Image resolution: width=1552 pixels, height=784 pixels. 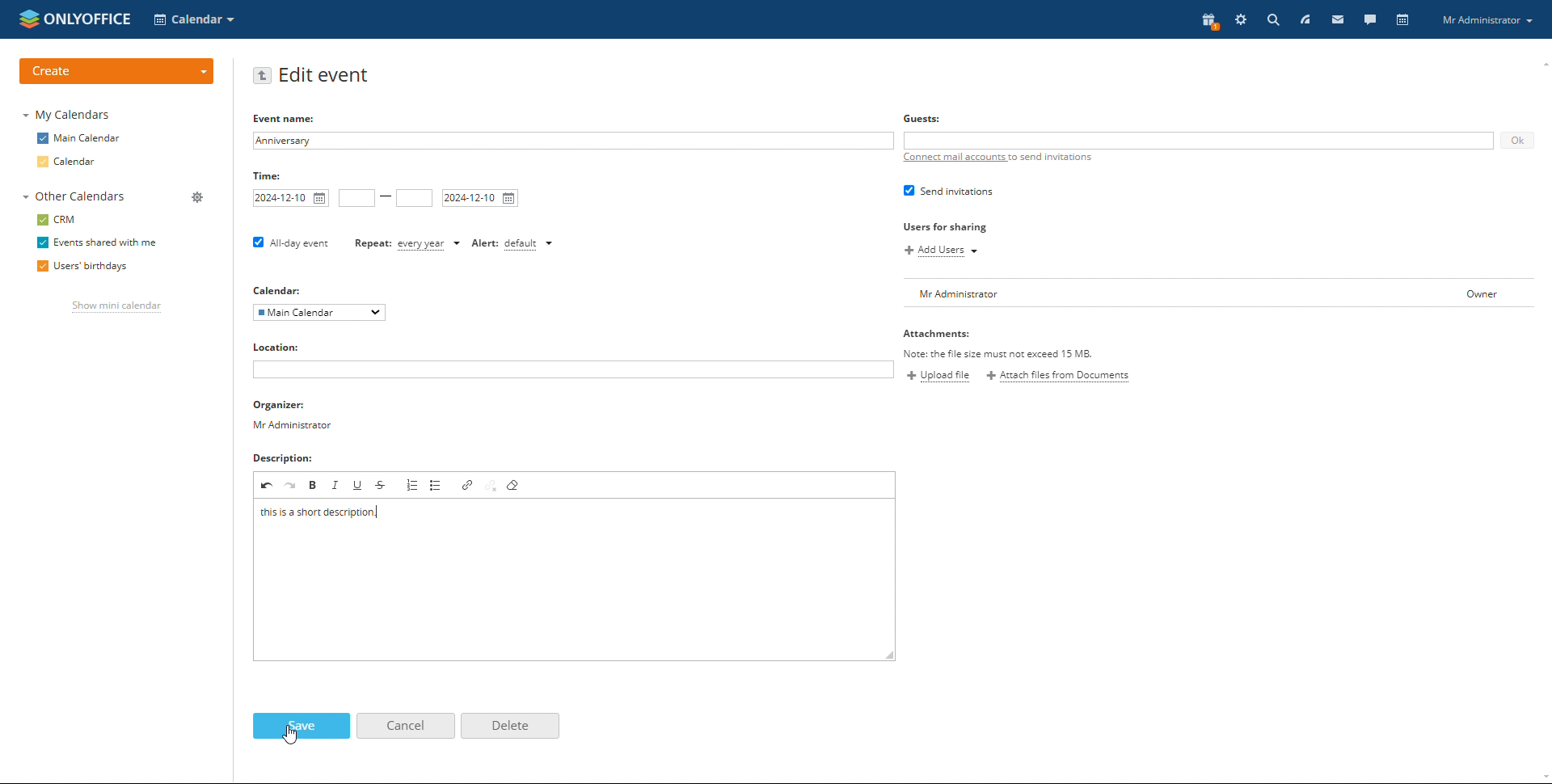 I want to click on Calendar:, so click(x=282, y=289).